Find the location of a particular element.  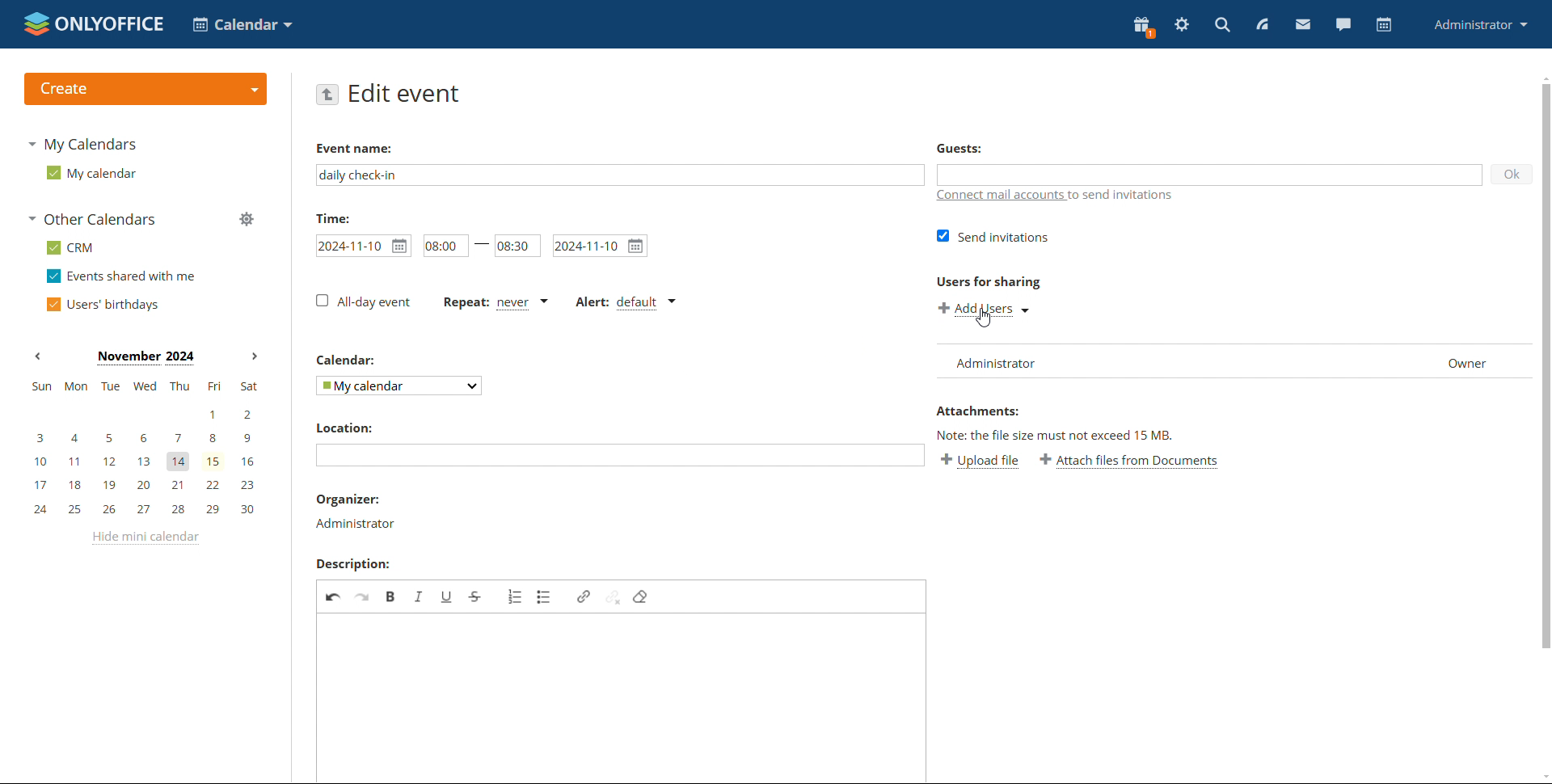

present is located at coordinates (1144, 27).